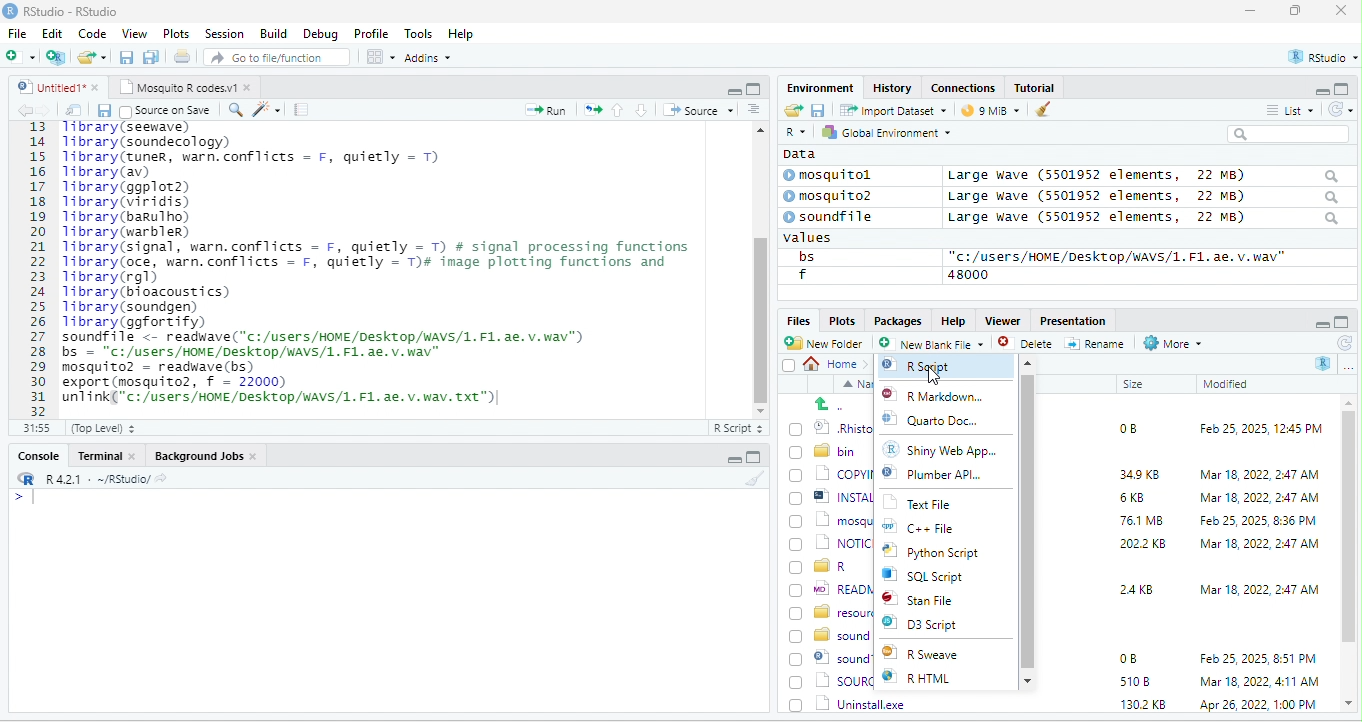 The width and height of the screenshot is (1362, 722). What do you see at coordinates (825, 450) in the screenshot?
I see `Ld bin` at bounding box center [825, 450].